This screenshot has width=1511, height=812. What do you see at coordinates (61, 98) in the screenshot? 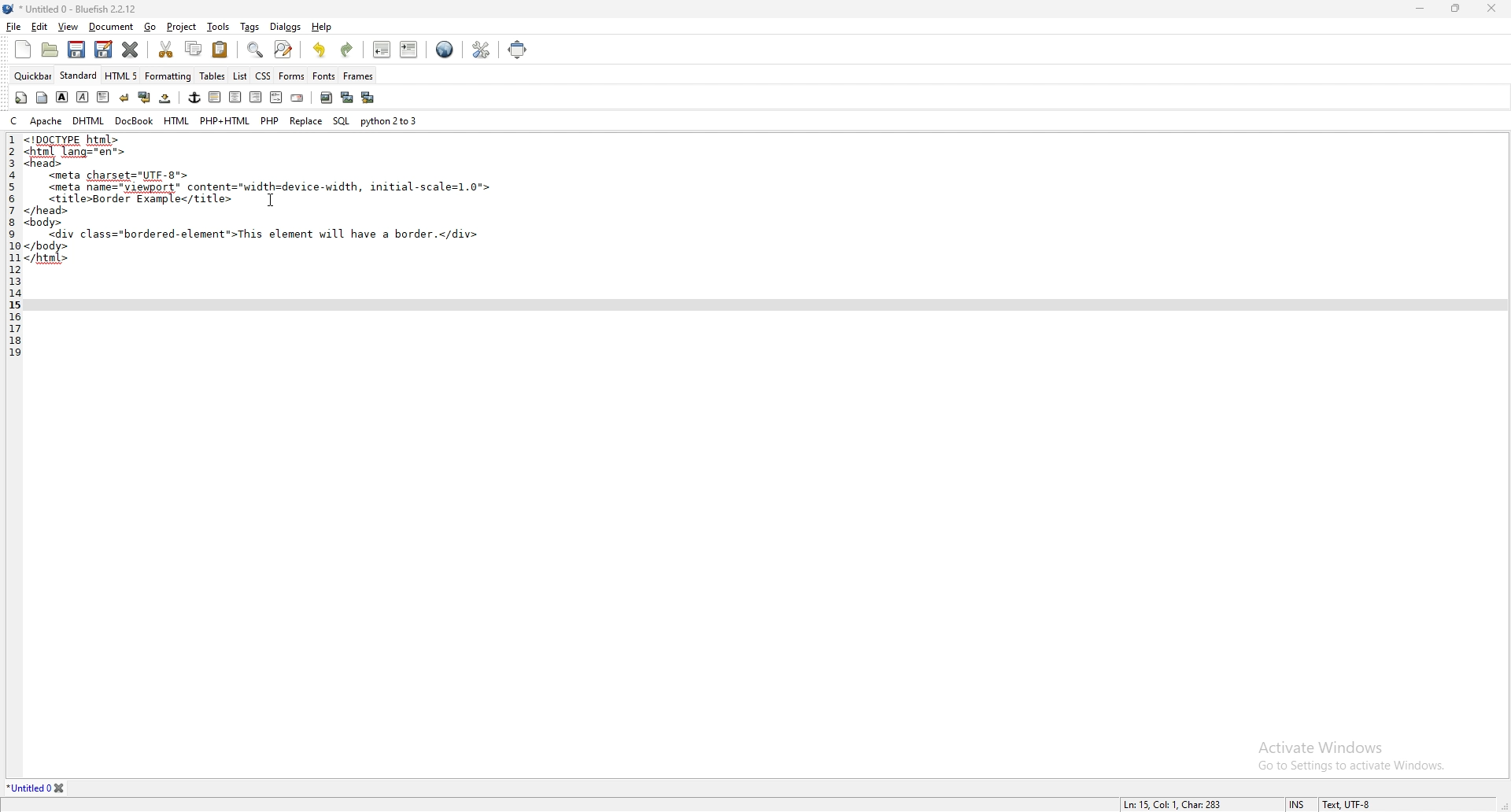
I see `bold` at bounding box center [61, 98].